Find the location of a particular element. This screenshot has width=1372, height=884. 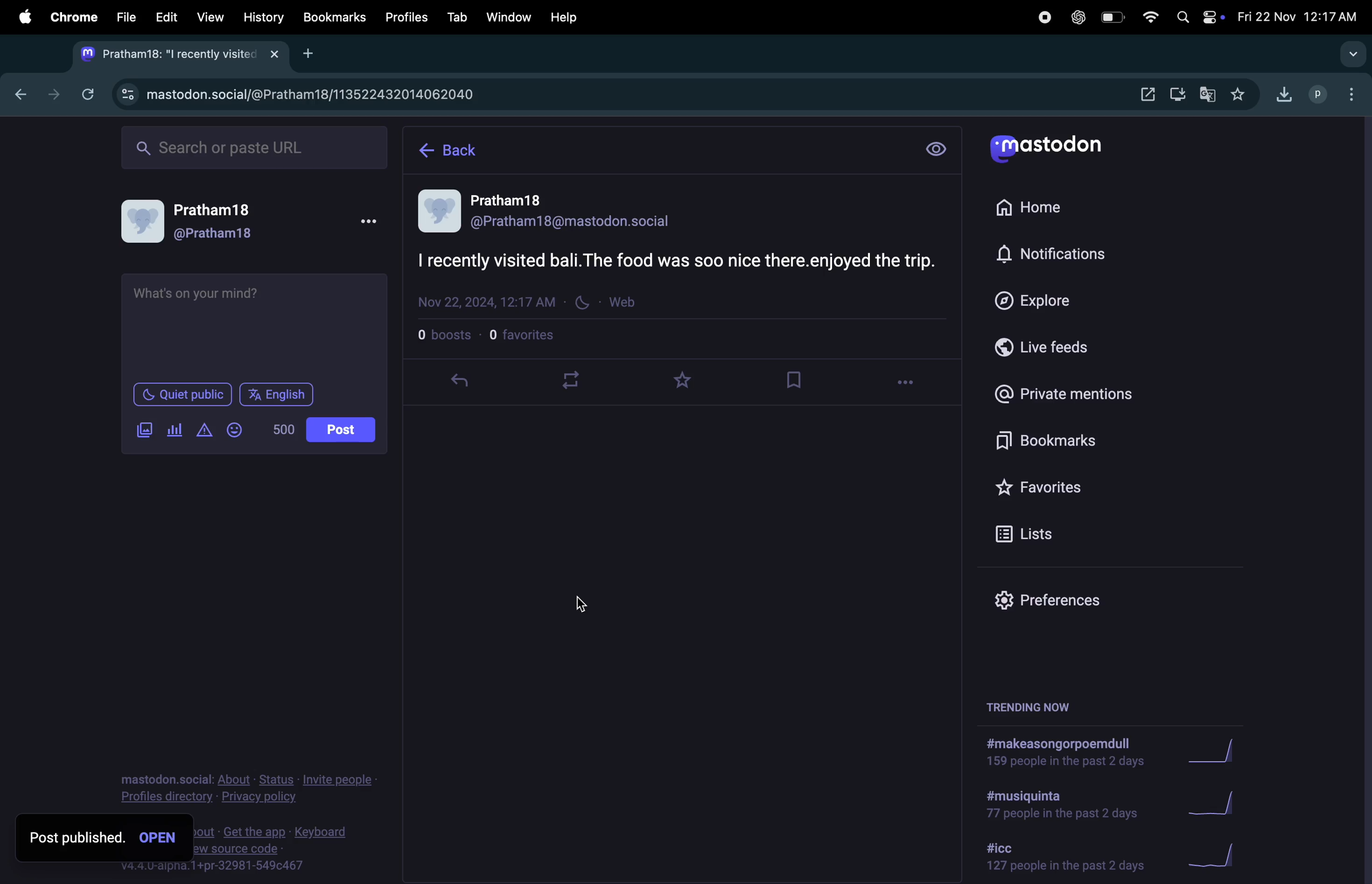

text box is located at coordinates (252, 320).